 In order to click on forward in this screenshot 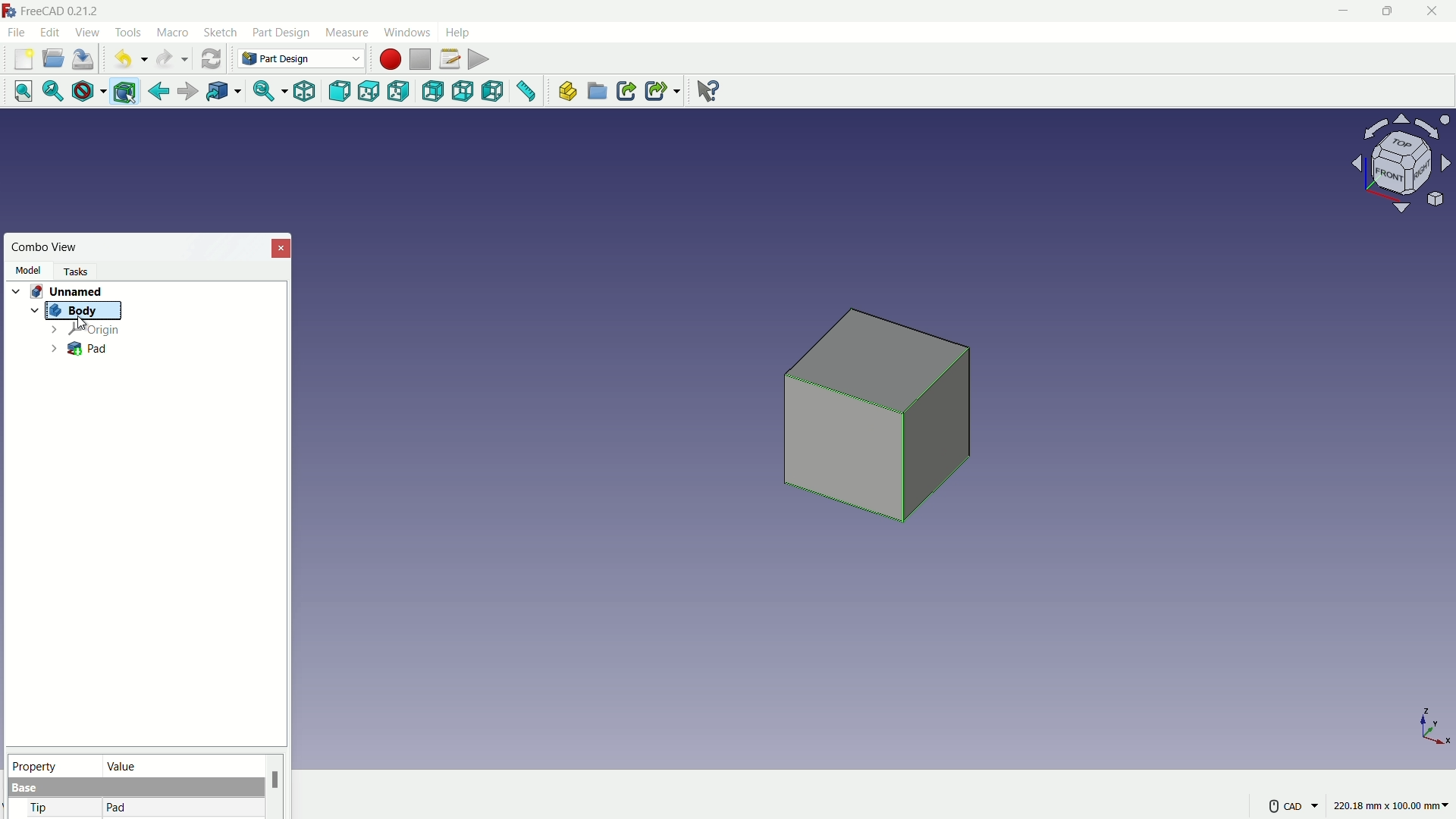, I will do `click(186, 93)`.